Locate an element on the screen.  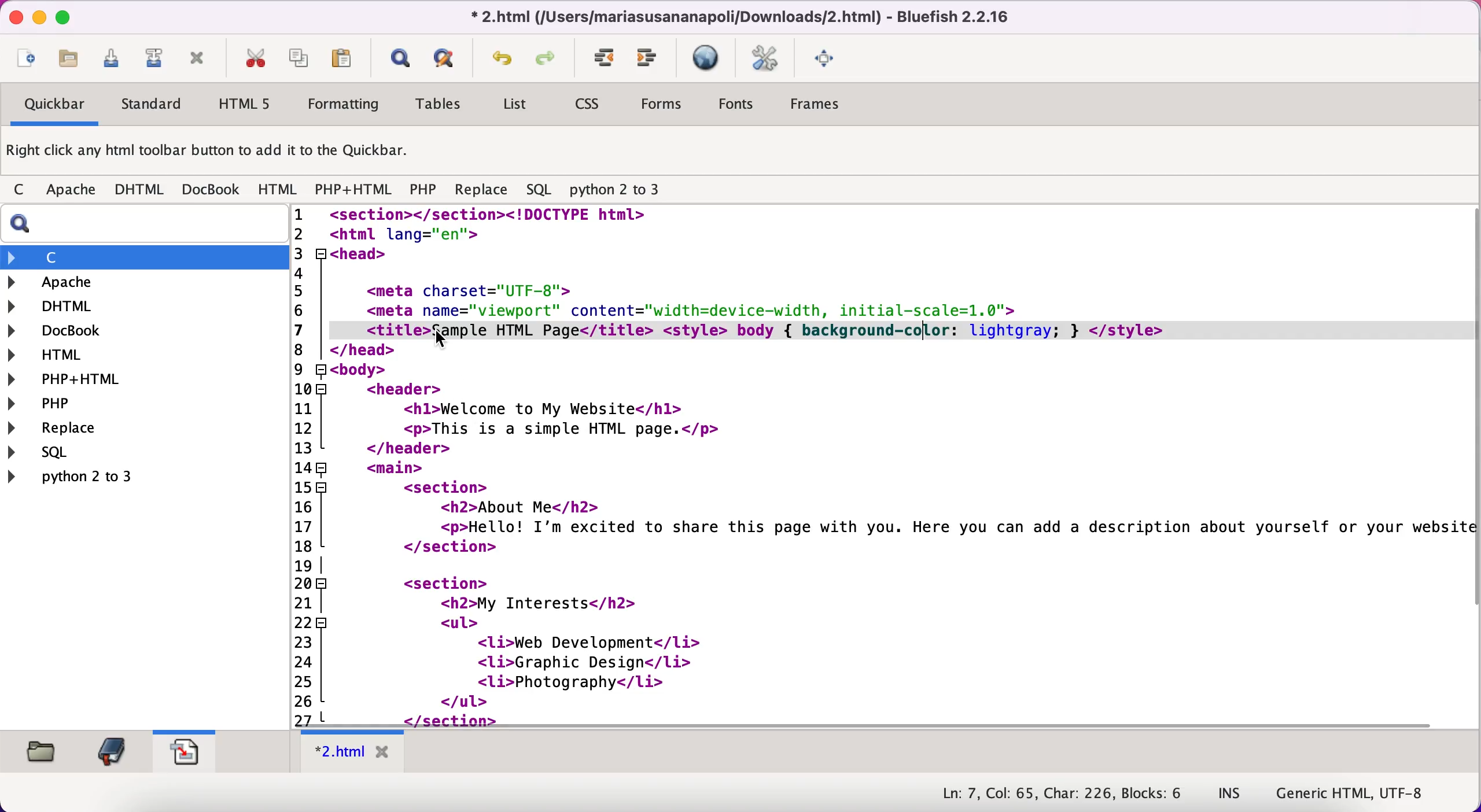
cursor  is located at coordinates (441, 342).